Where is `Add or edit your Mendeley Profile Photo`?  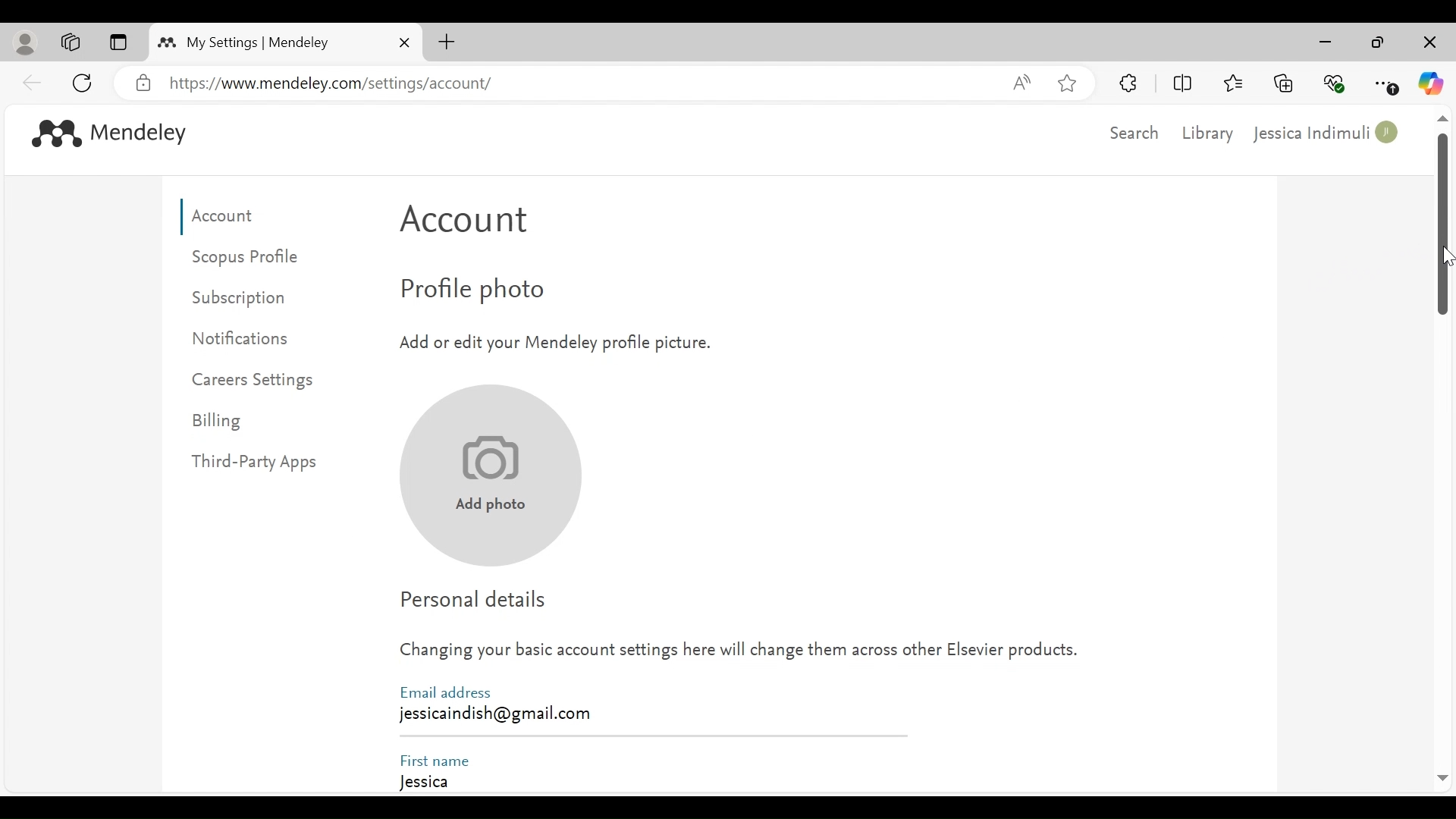 Add or edit your Mendeley Profile Photo is located at coordinates (553, 341).